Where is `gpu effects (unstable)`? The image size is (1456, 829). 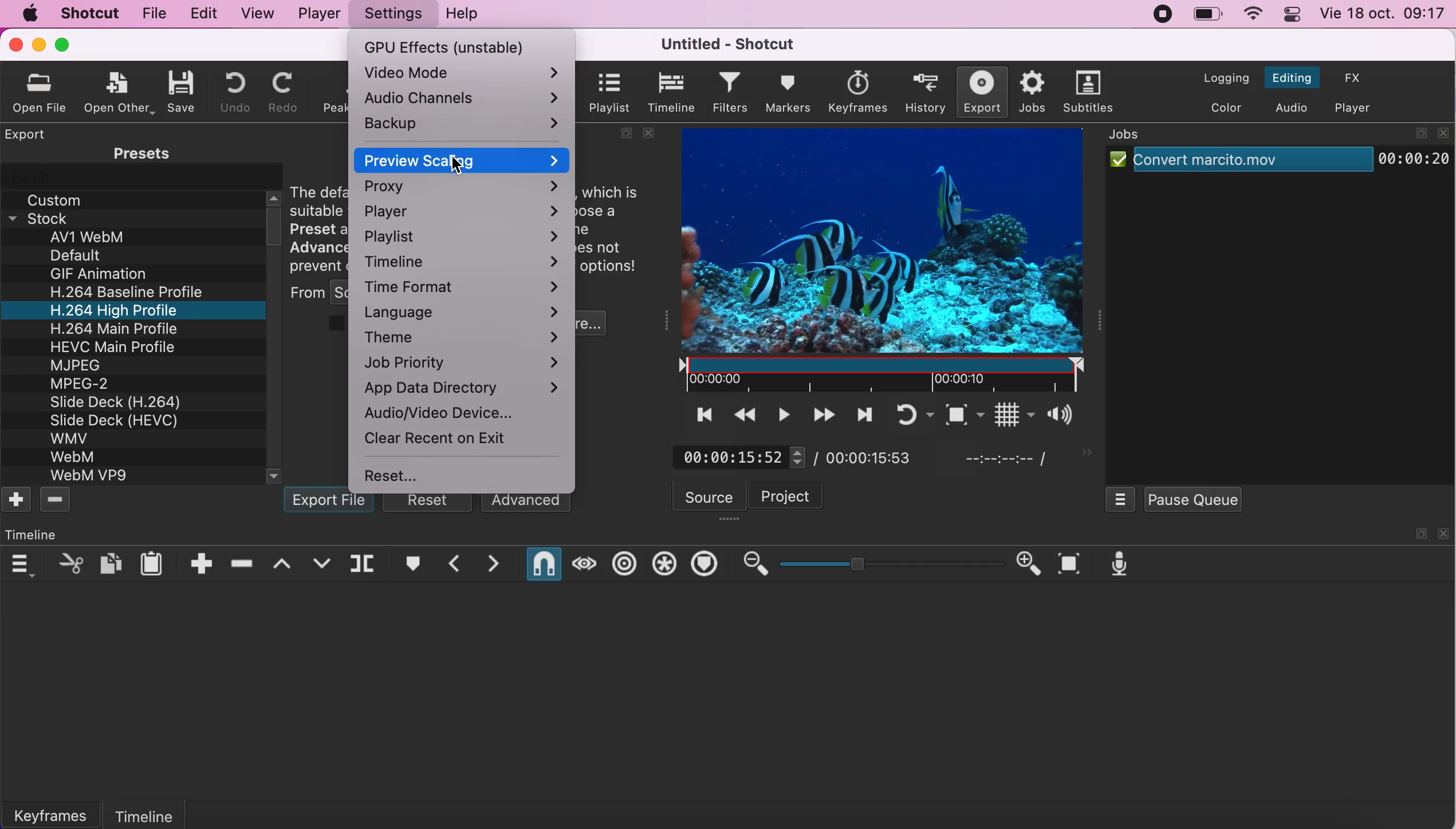
gpu effects (unstable) is located at coordinates (459, 44).